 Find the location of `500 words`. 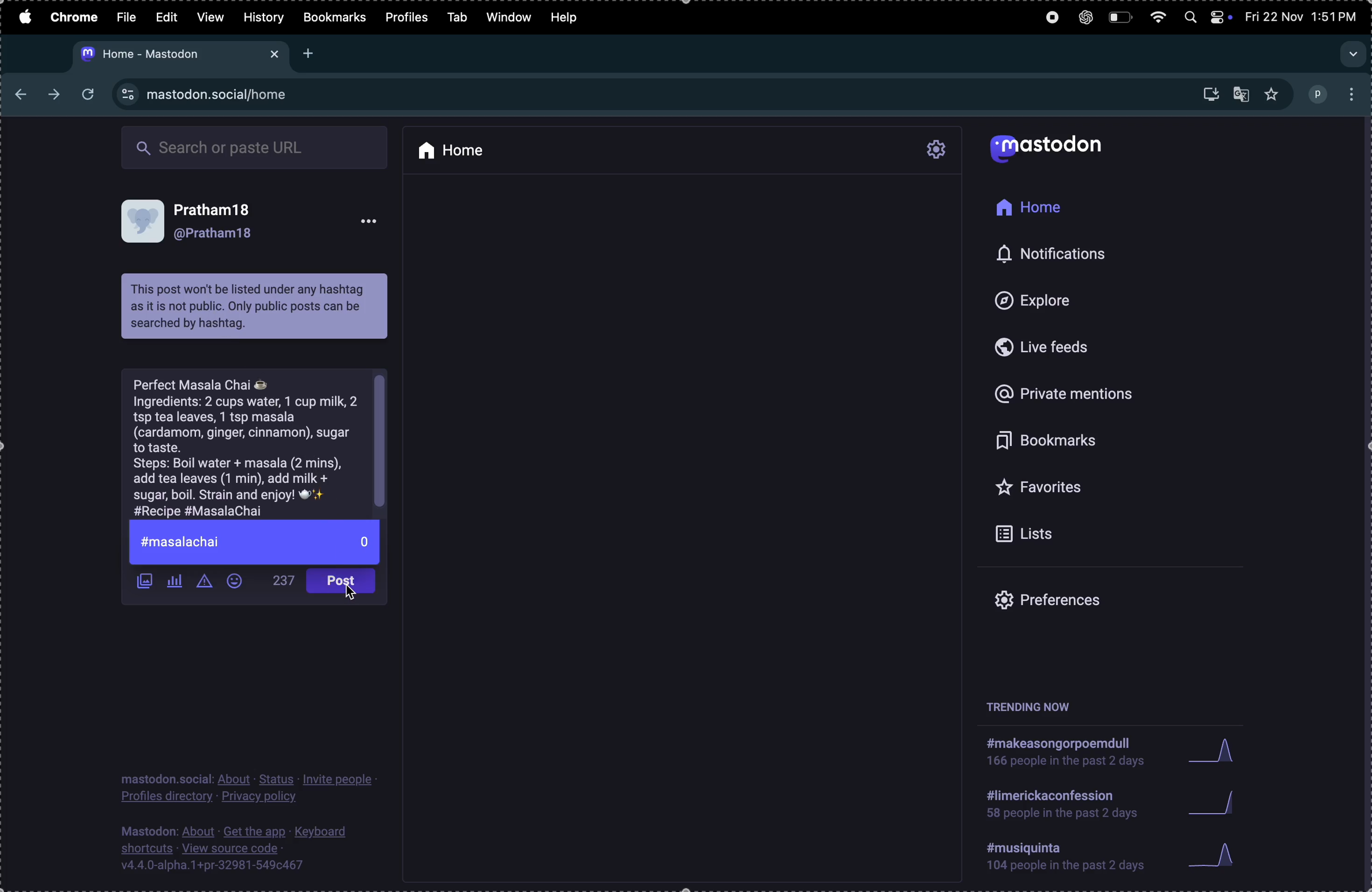

500 words is located at coordinates (280, 581).